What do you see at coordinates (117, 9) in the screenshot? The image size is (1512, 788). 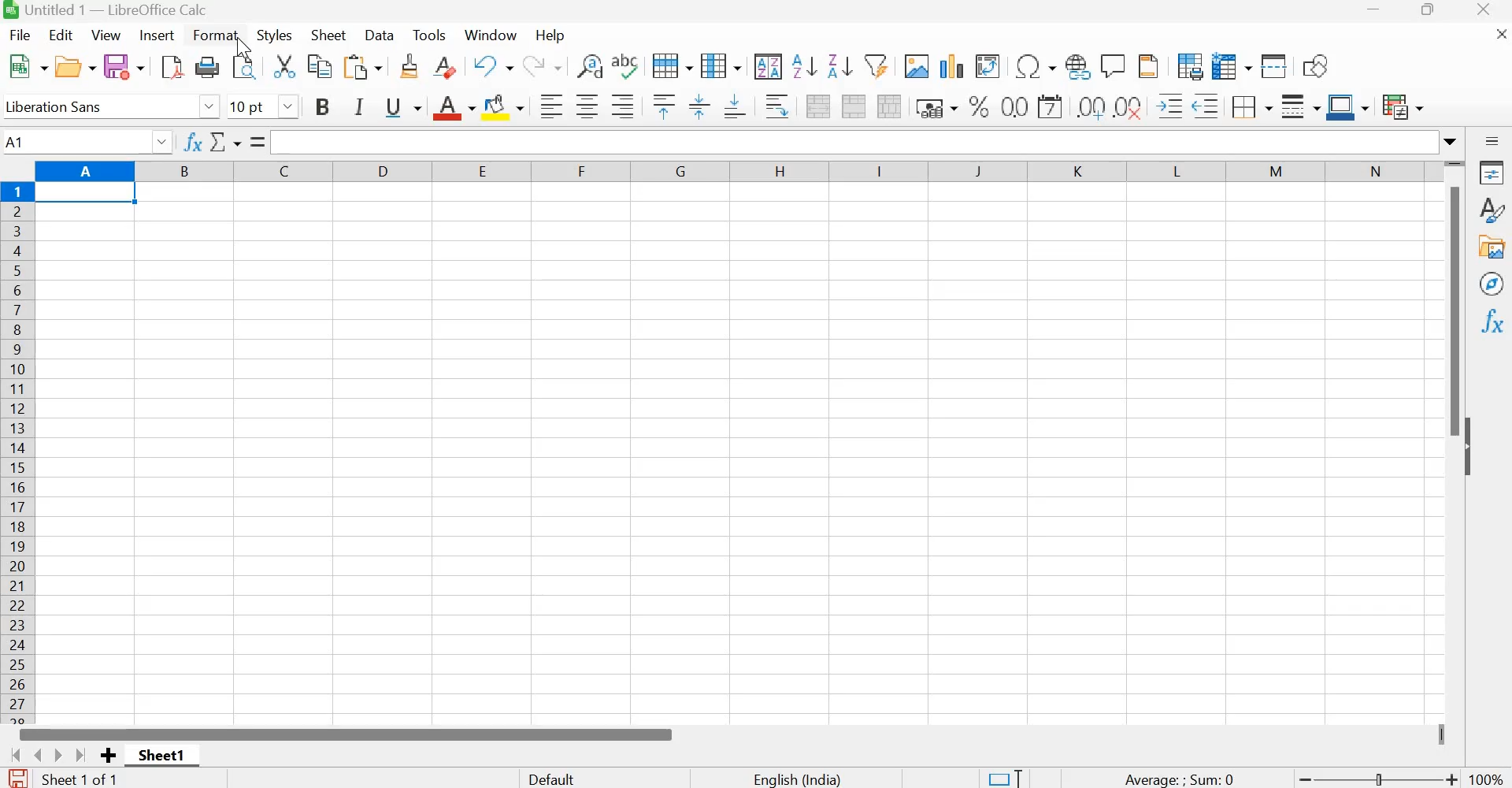 I see `Untitled 1 - LibreOffice Calc` at bounding box center [117, 9].